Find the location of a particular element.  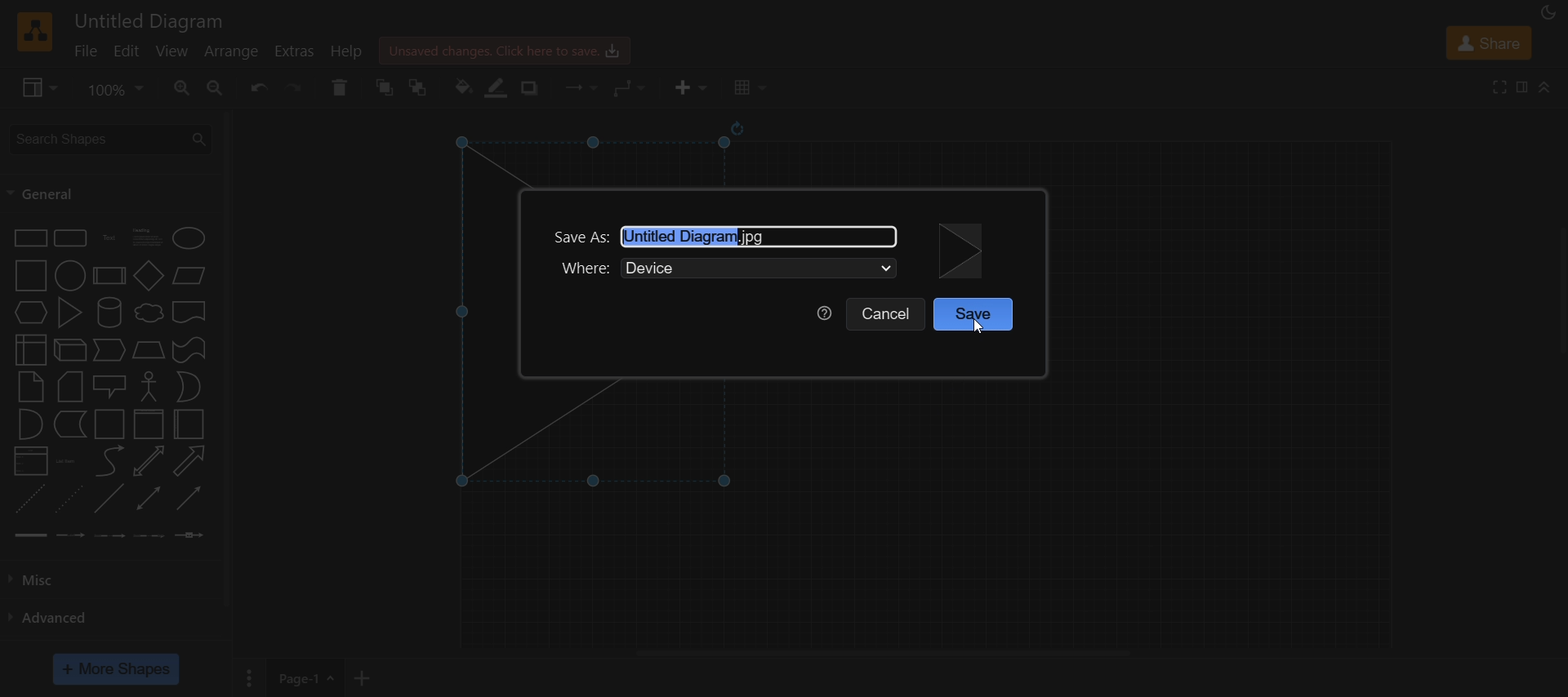

where is located at coordinates (727, 272).